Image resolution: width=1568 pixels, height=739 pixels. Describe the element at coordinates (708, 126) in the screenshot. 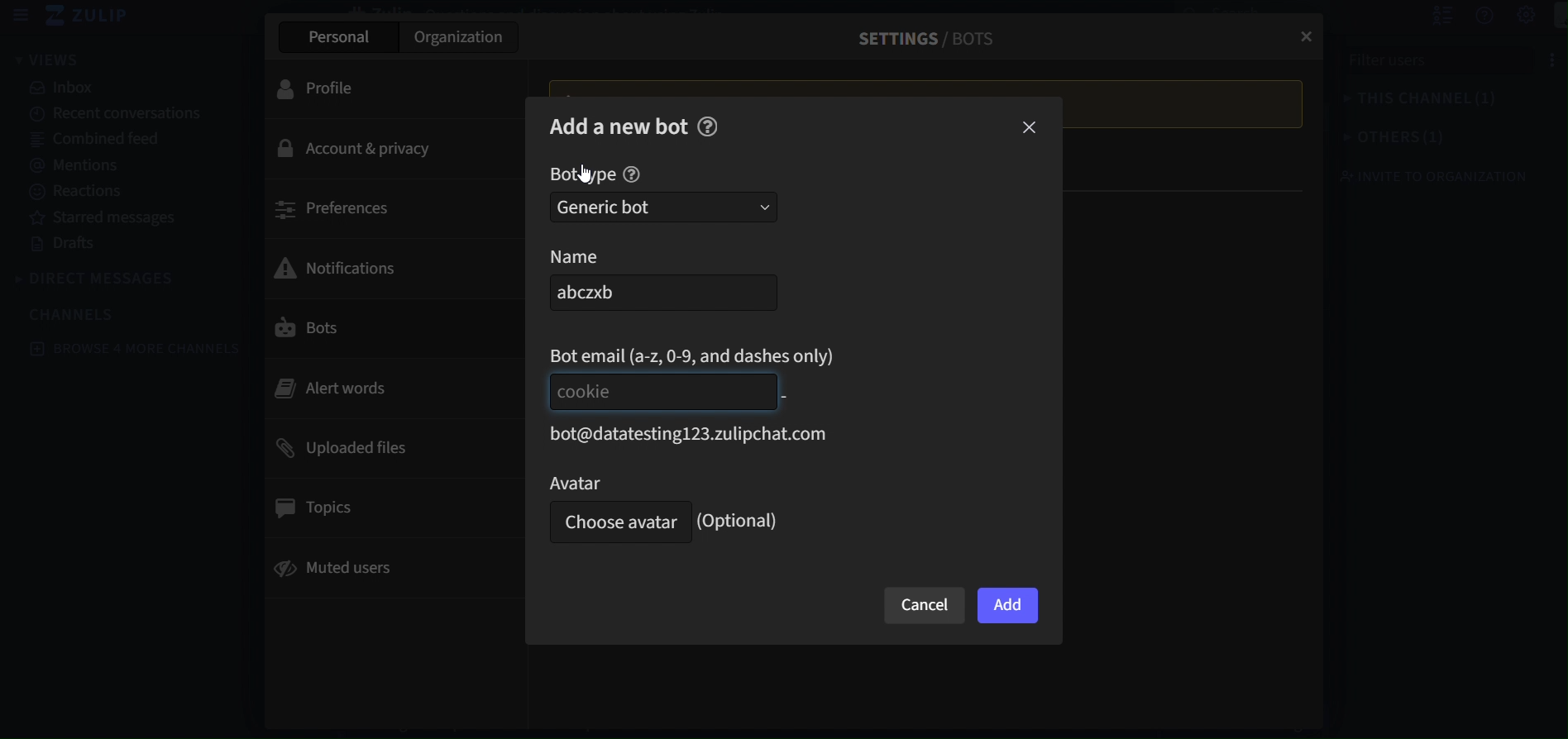

I see `help` at that location.